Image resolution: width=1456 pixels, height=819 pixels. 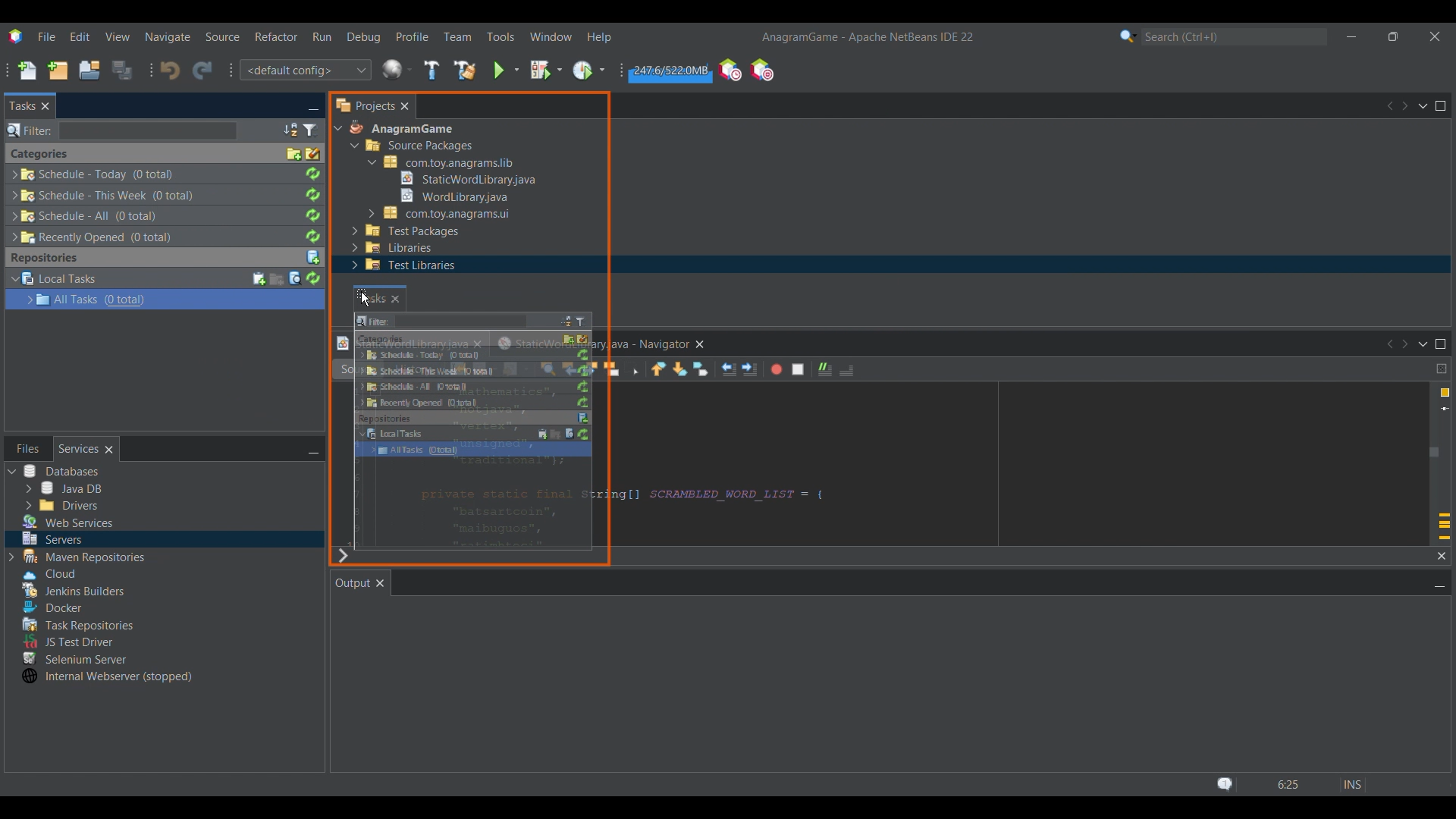 I want to click on , so click(x=399, y=130).